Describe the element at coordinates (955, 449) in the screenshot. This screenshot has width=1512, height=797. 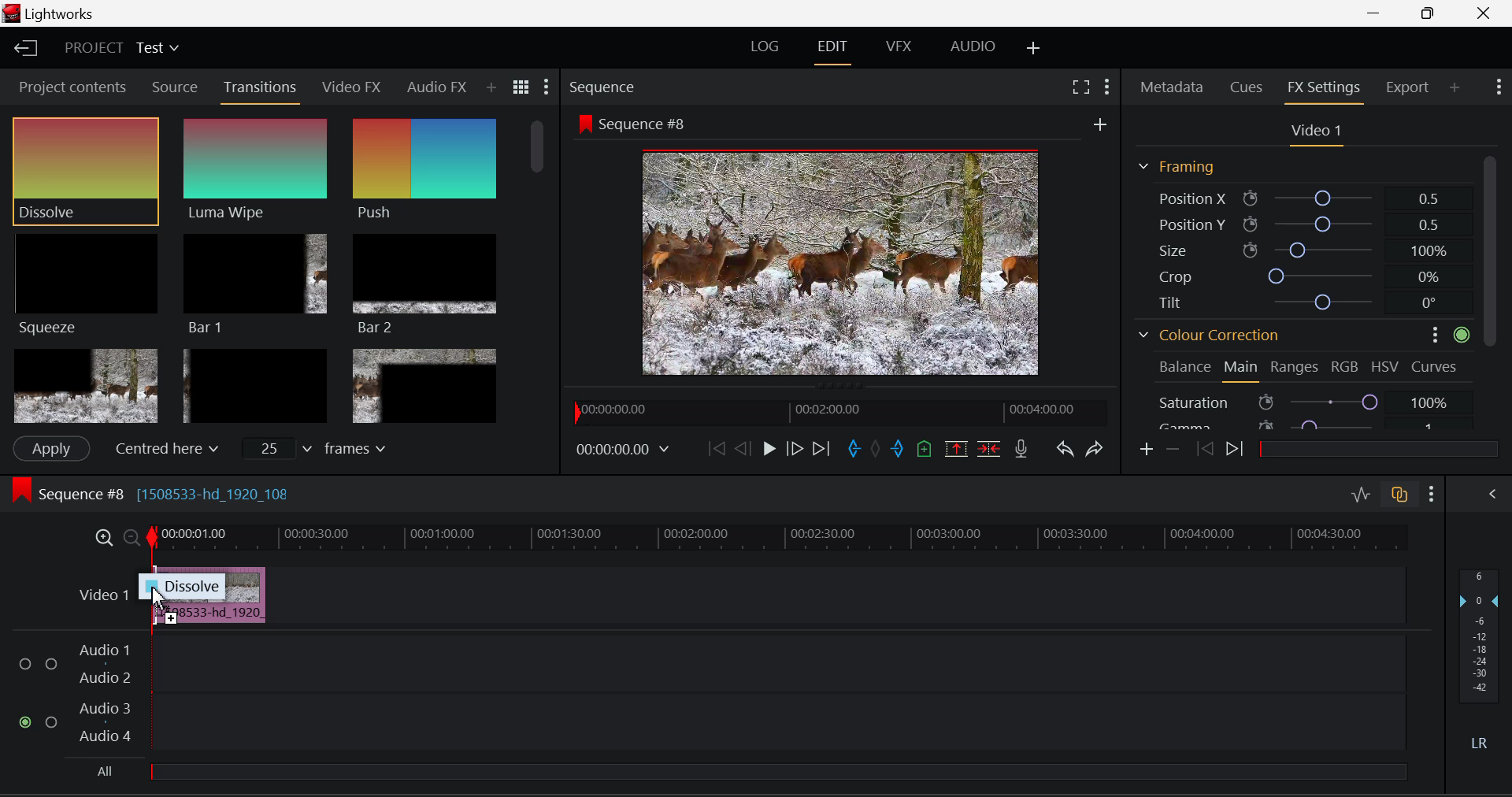
I see `Remove Marked Section` at that location.